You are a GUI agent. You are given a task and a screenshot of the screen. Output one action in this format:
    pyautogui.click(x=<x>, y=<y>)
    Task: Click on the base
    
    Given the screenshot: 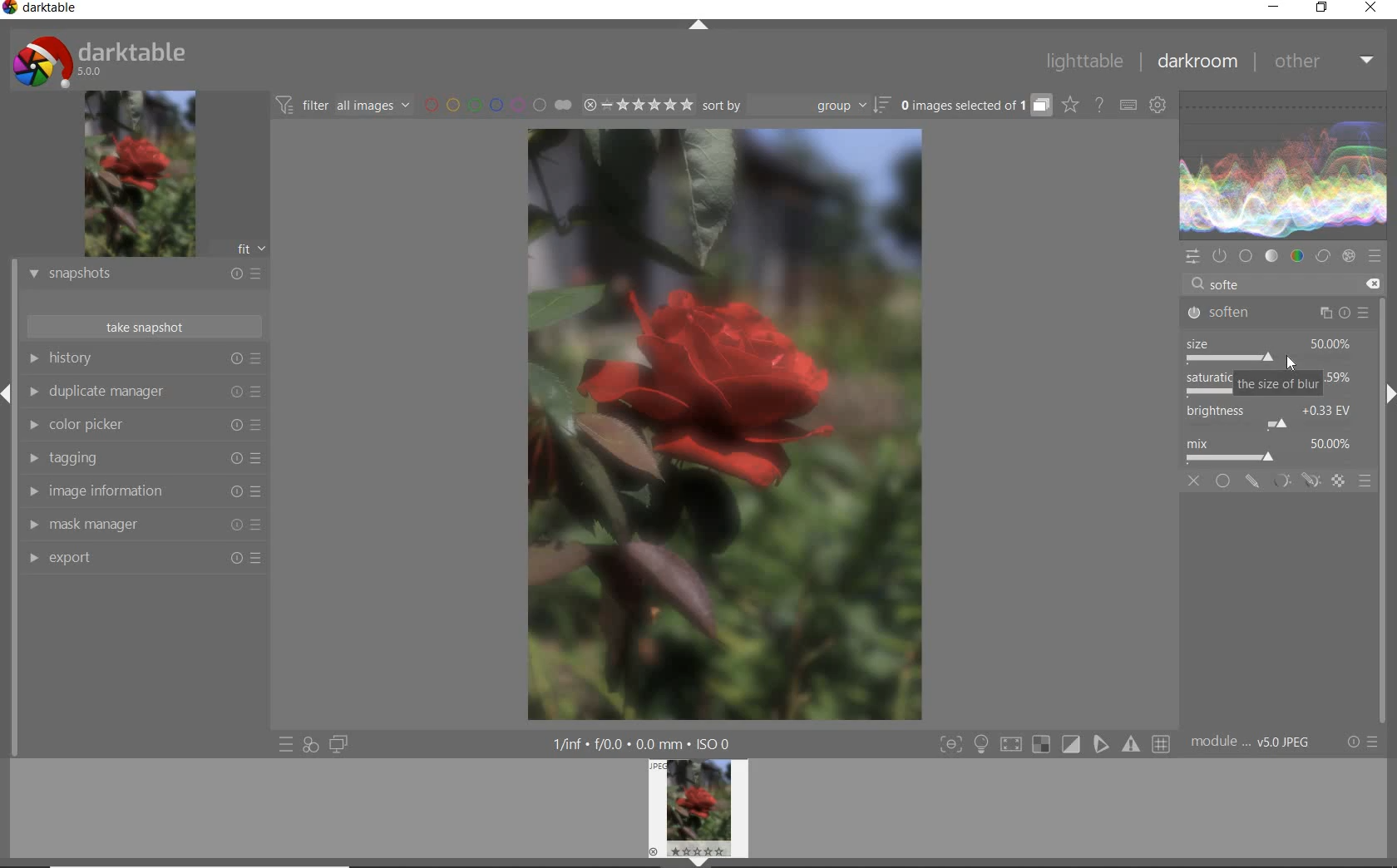 What is the action you would take?
    pyautogui.click(x=1244, y=255)
    